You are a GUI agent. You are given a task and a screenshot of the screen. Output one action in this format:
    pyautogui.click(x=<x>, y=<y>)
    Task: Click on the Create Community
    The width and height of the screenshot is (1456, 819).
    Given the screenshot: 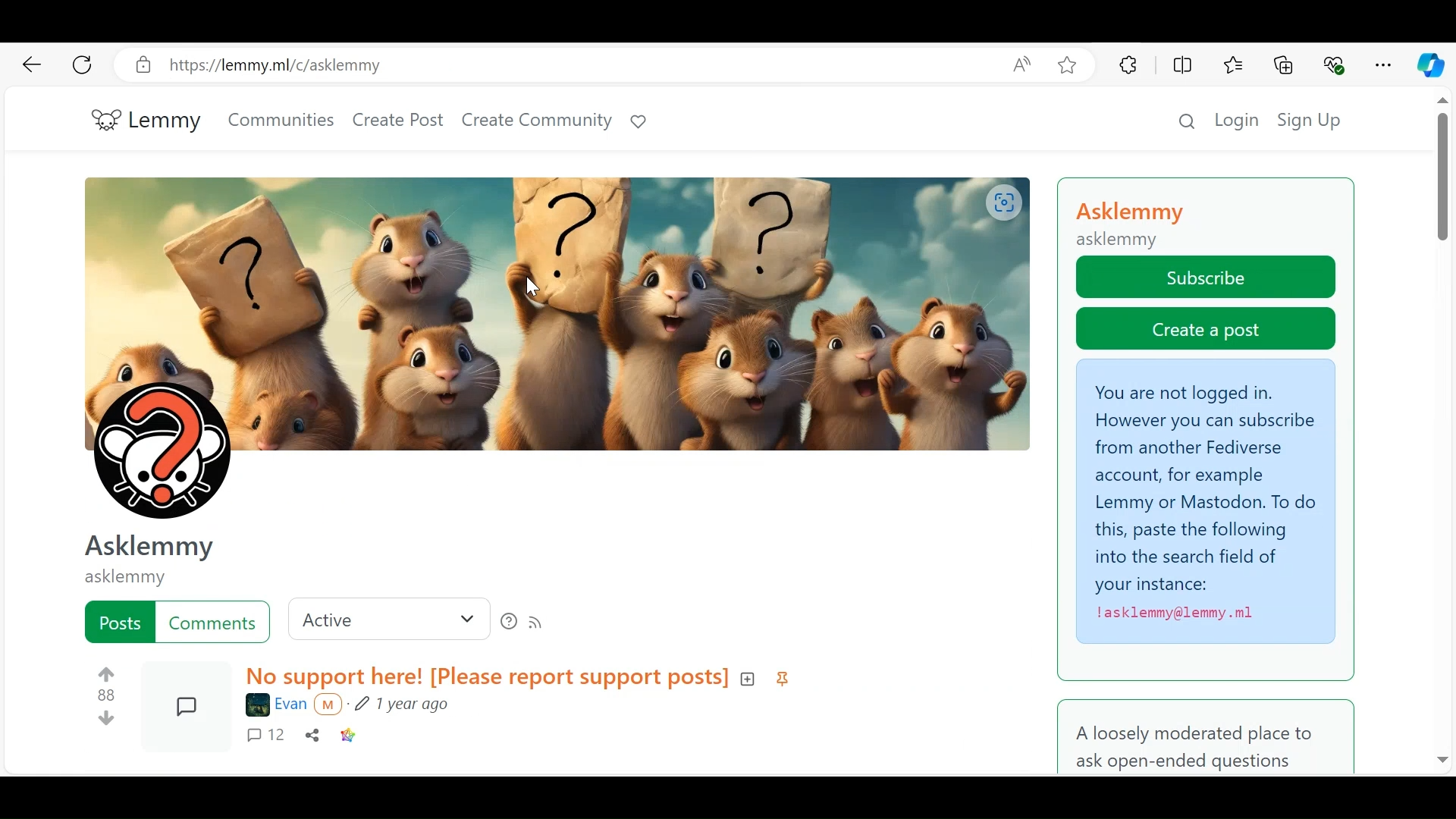 What is the action you would take?
    pyautogui.click(x=536, y=121)
    